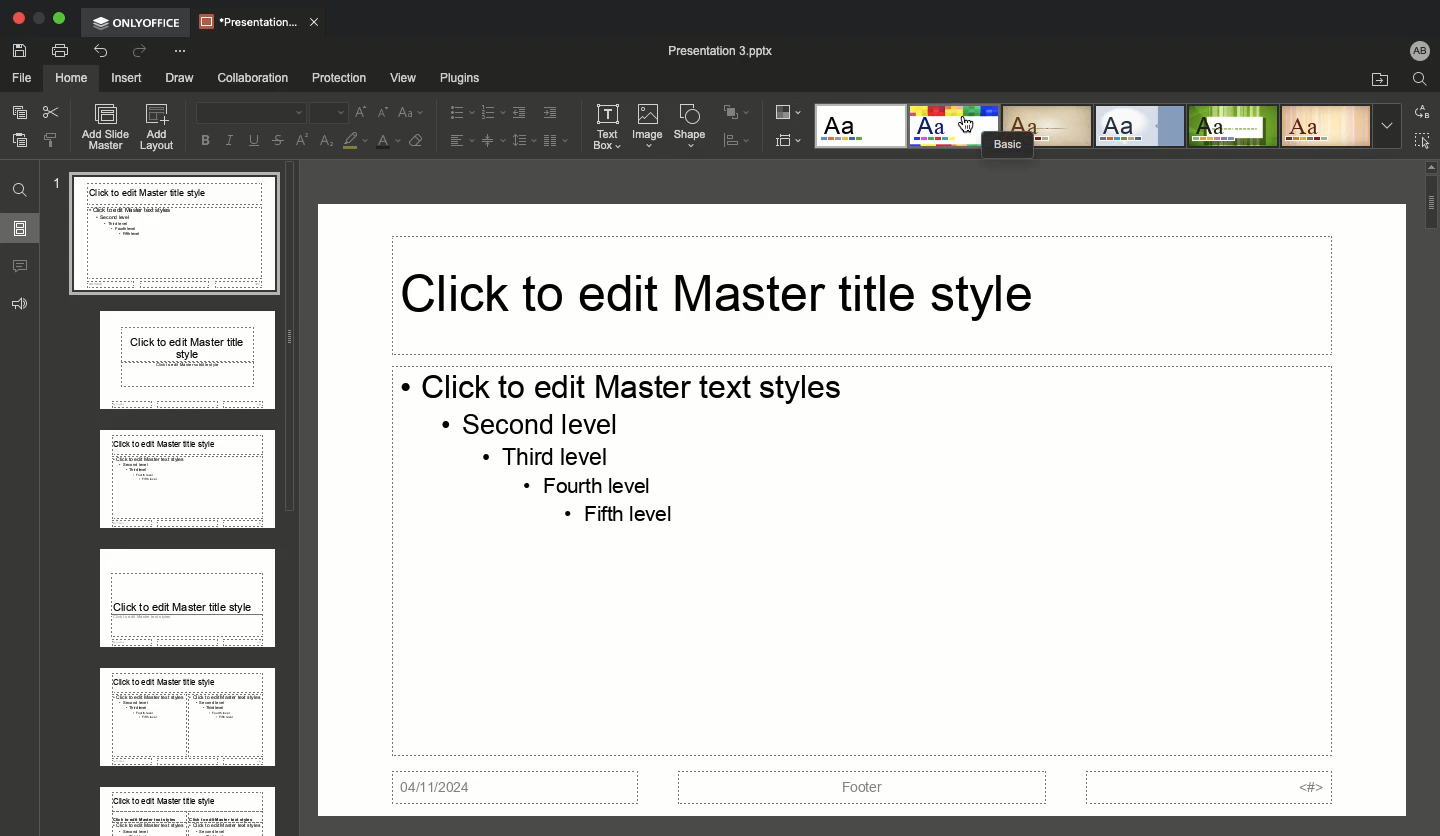 This screenshot has width=1440, height=836. Describe the element at coordinates (175, 238) in the screenshot. I see `Master slide 1` at that location.